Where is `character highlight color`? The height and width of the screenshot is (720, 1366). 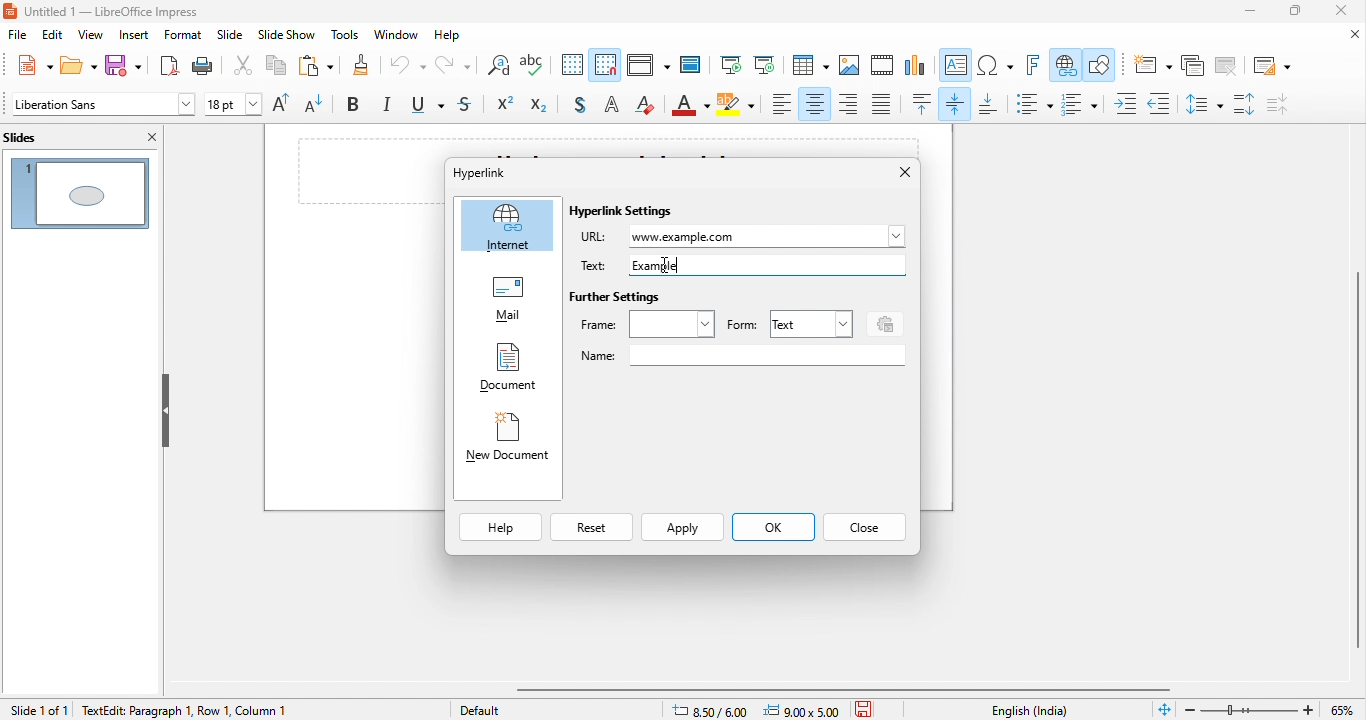
character highlight color is located at coordinates (738, 107).